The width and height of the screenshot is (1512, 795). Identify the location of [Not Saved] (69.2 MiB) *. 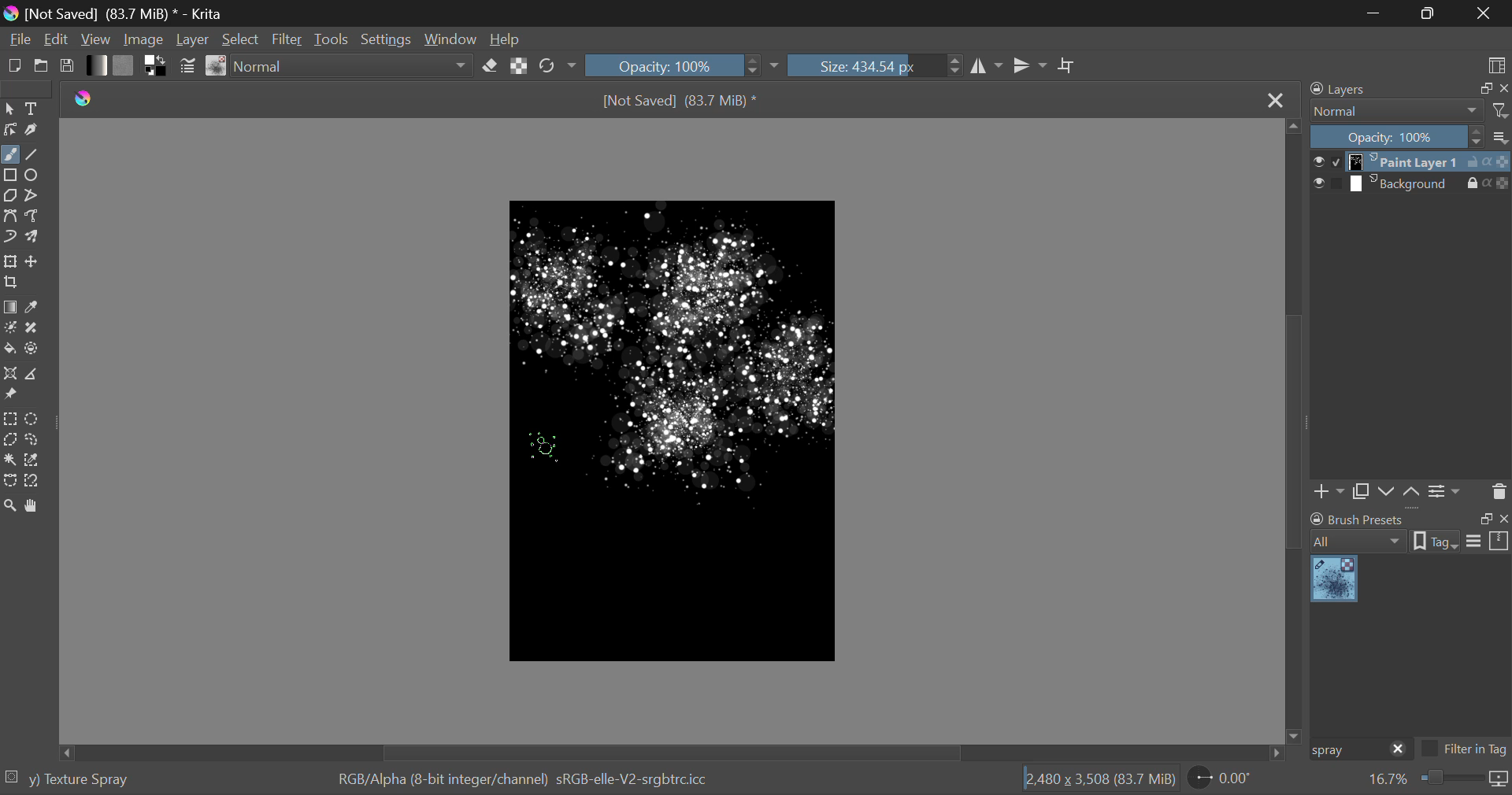
(680, 102).